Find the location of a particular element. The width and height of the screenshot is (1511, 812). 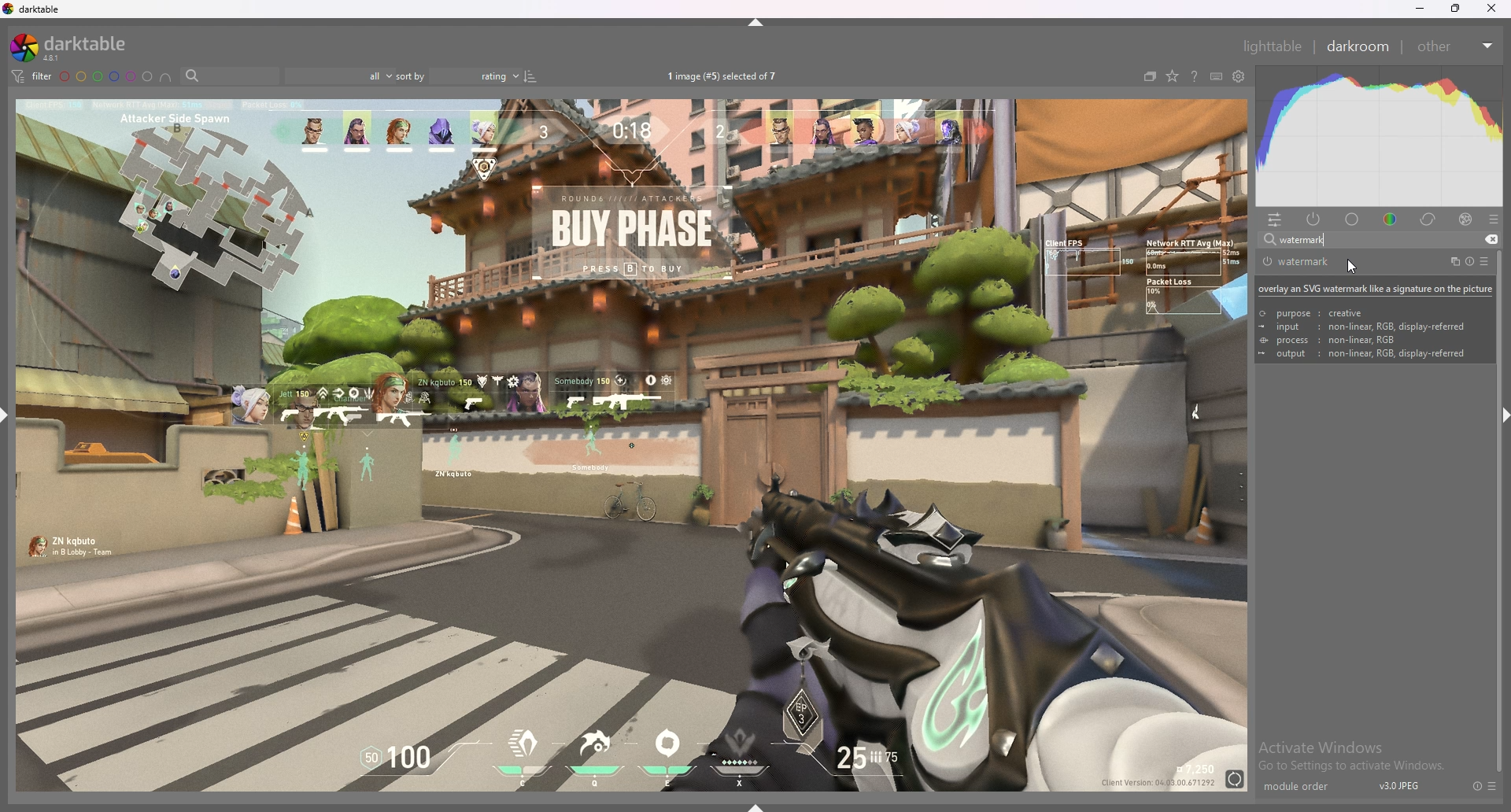

version is located at coordinates (1400, 785).